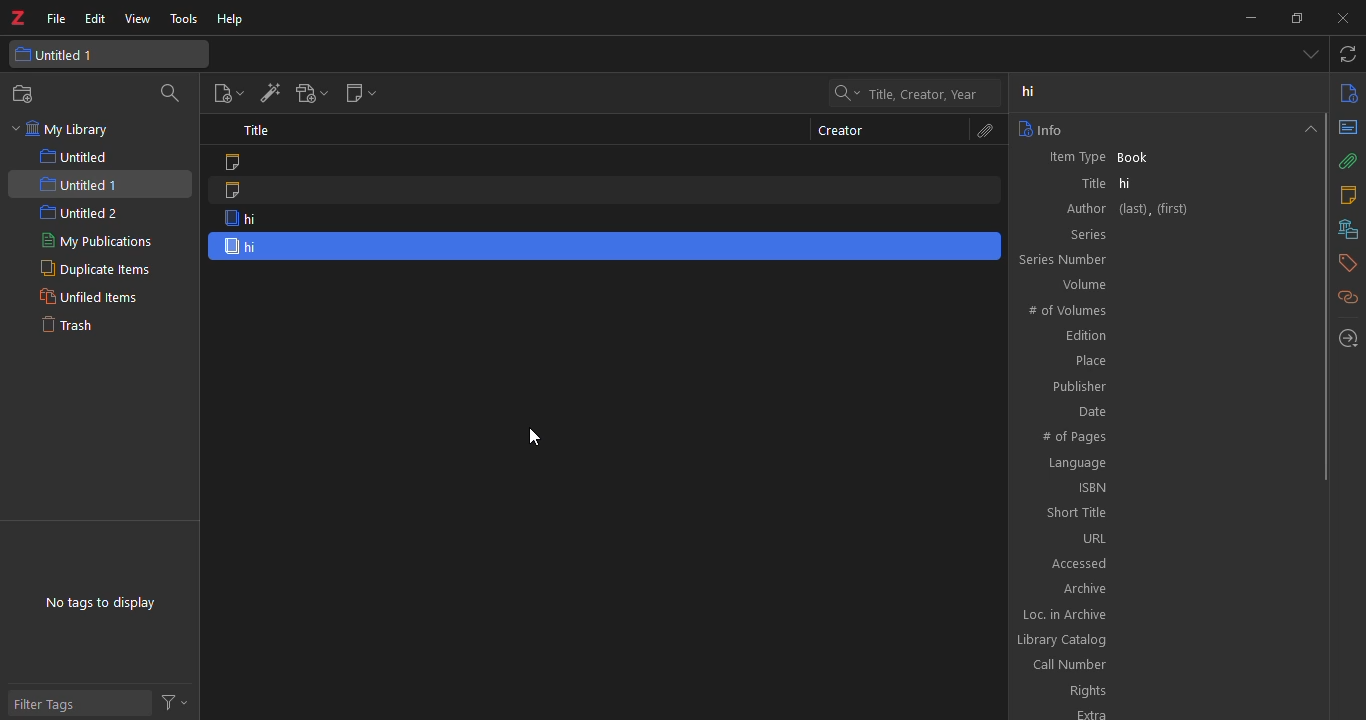 The height and width of the screenshot is (720, 1366). What do you see at coordinates (1345, 16) in the screenshot?
I see `close` at bounding box center [1345, 16].